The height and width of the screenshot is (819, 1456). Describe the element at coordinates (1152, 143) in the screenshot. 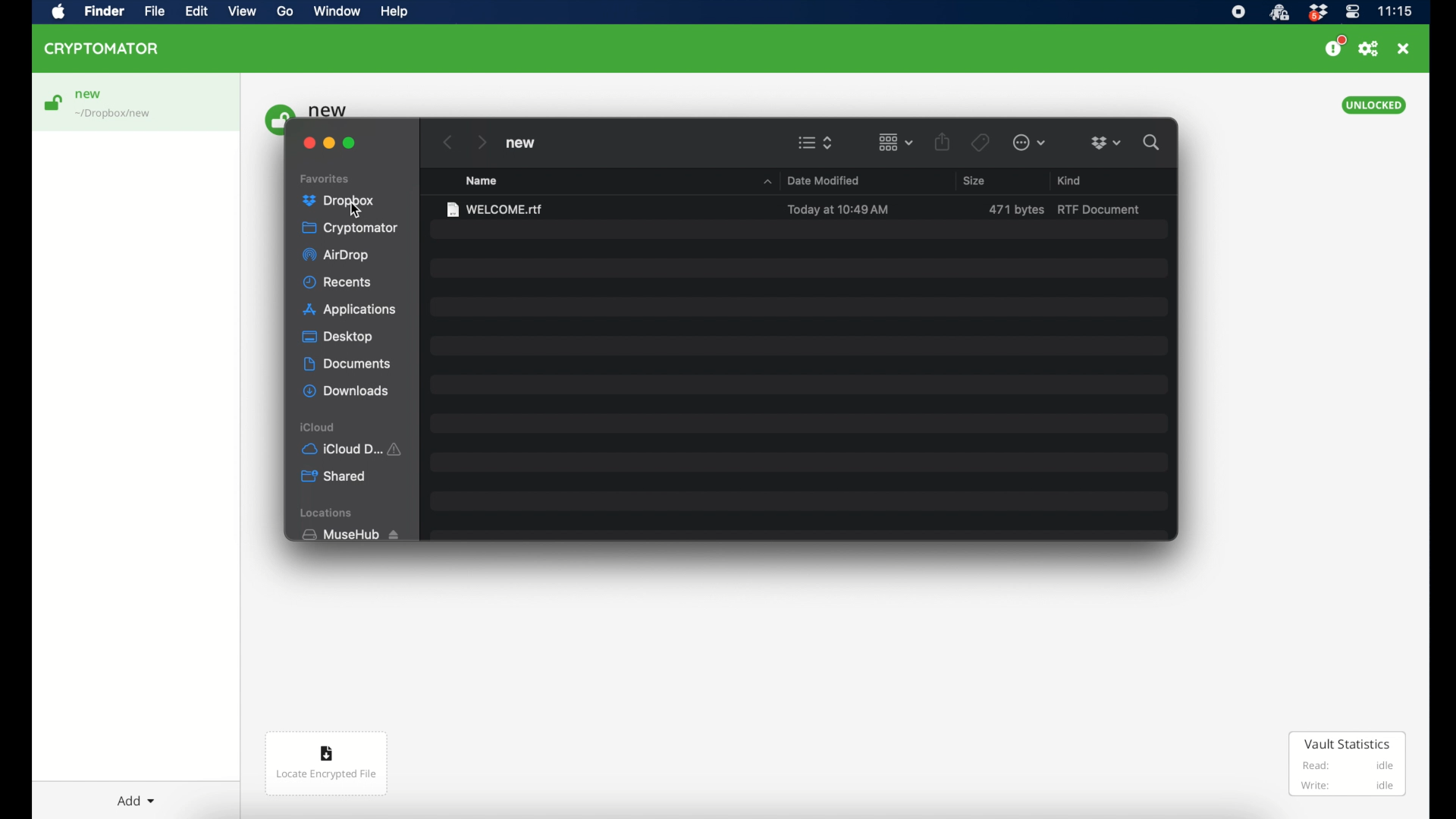

I see `search` at that location.